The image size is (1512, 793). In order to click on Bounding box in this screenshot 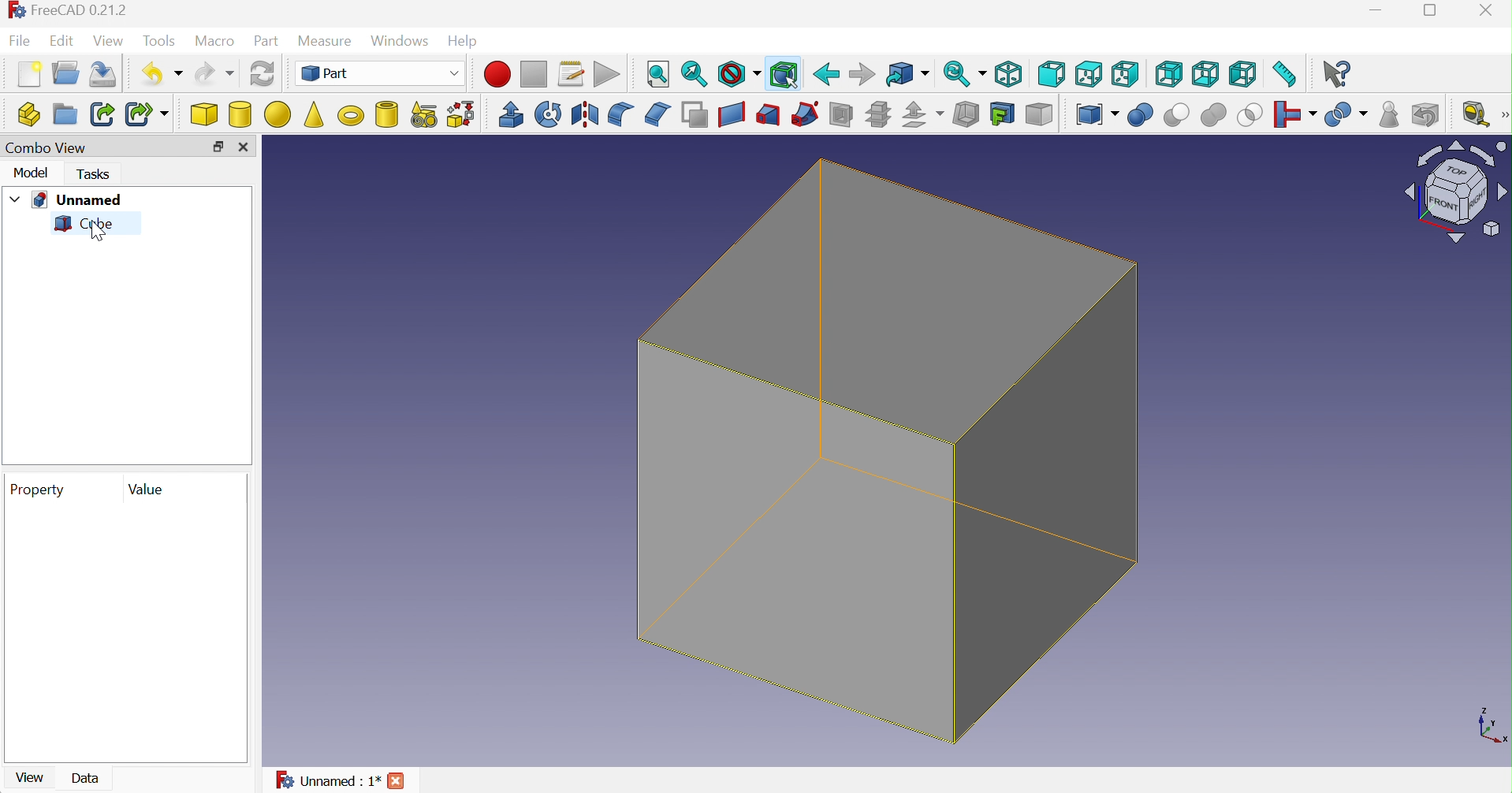, I will do `click(783, 76)`.